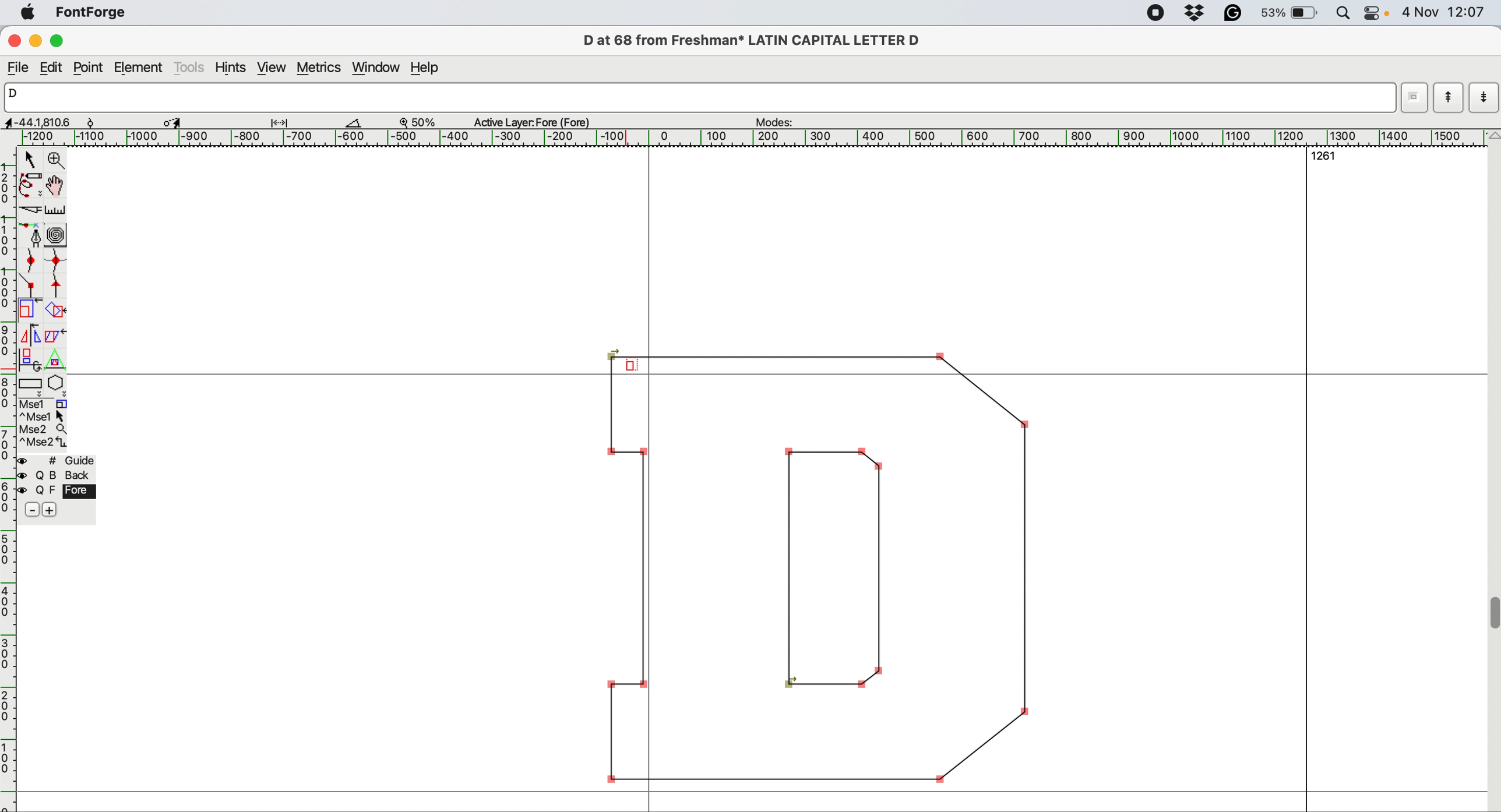 This screenshot has width=1501, height=812. What do you see at coordinates (60, 476) in the screenshot?
I see `Q B back` at bounding box center [60, 476].